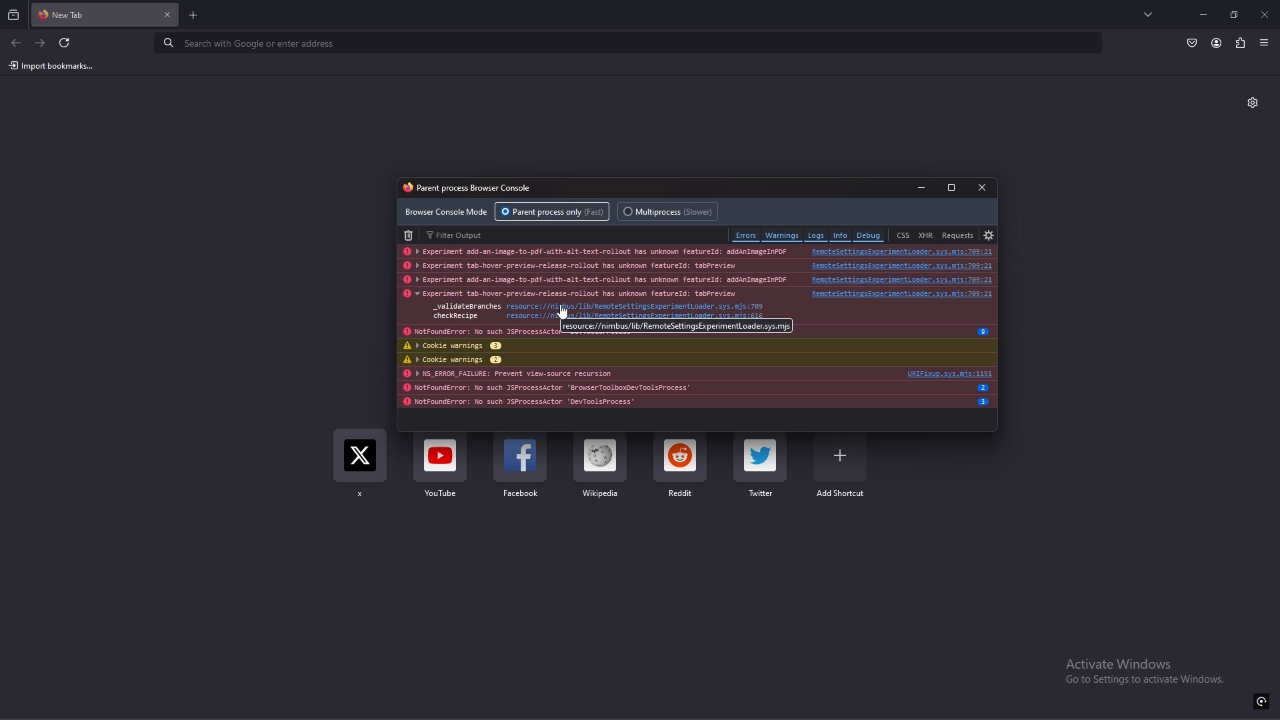 The width and height of the screenshot is (1280, 720). What do you see at coordinates (39, 44) in the screenshot?
I see `forward` at bounding box center [39, 44].